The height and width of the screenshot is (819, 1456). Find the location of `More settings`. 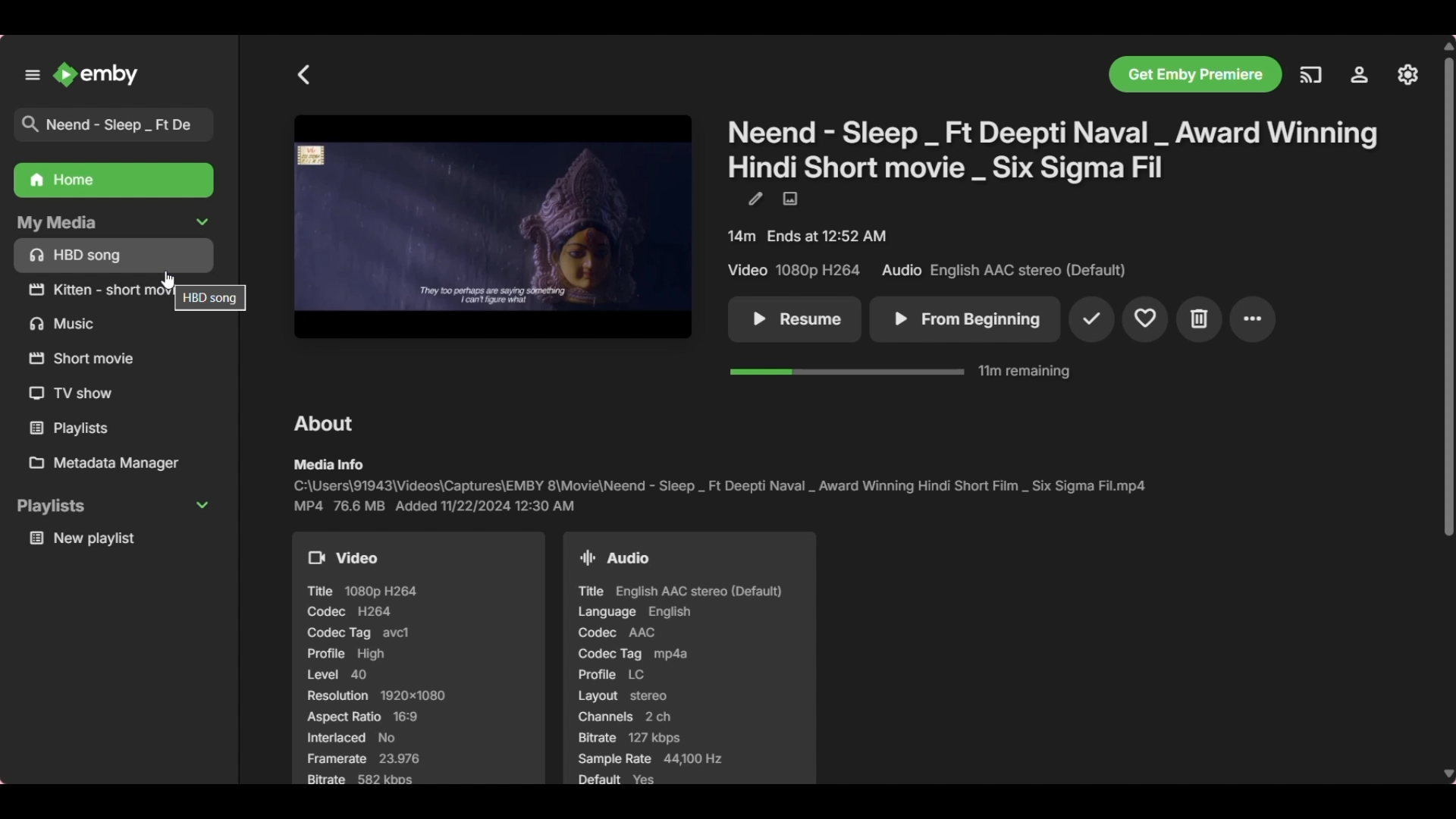

More settings is located at coordinates (1254, 319).